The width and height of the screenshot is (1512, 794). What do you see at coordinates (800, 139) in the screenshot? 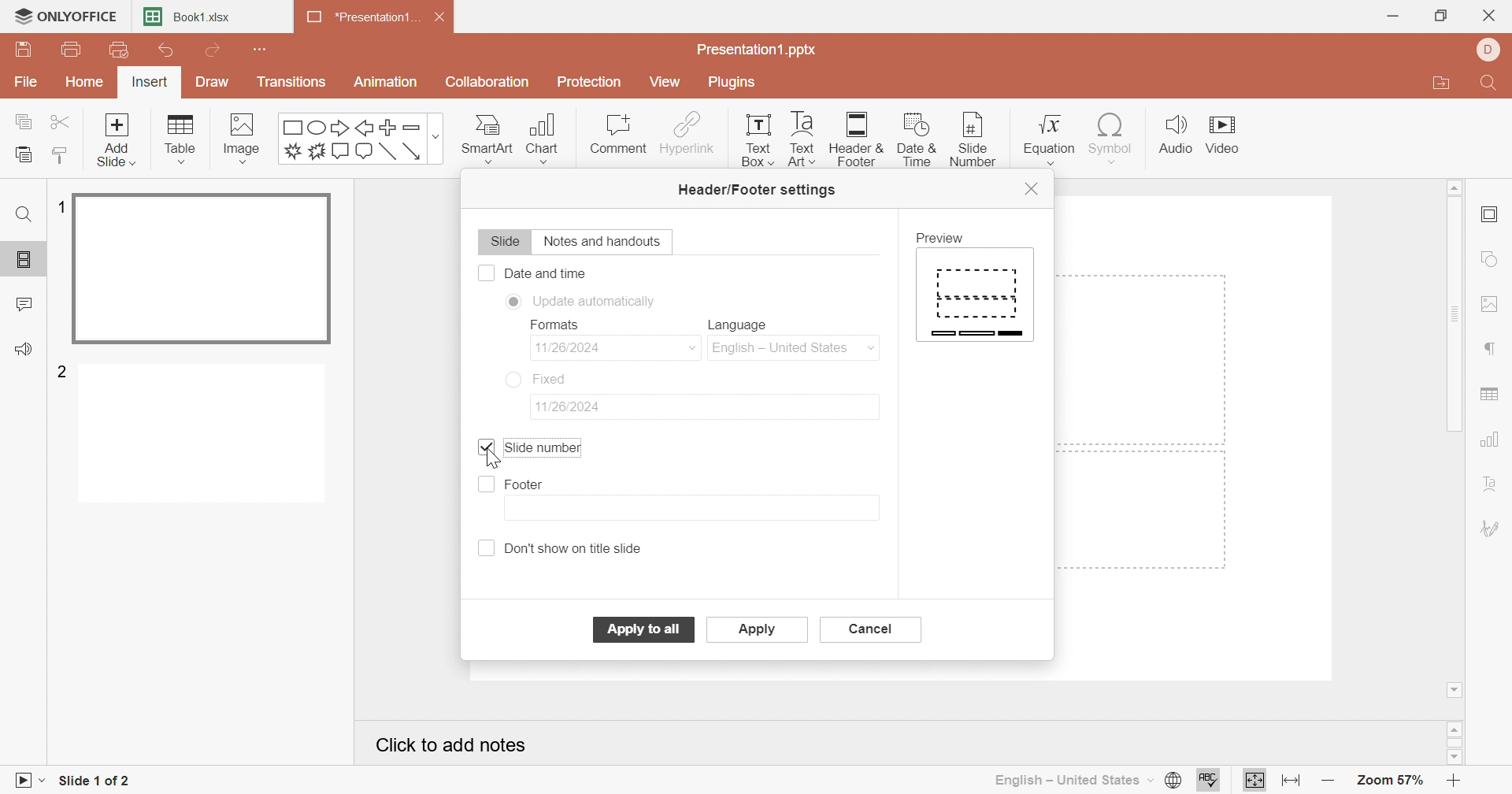
I see `Text Art` at bounding box center [800, 139].